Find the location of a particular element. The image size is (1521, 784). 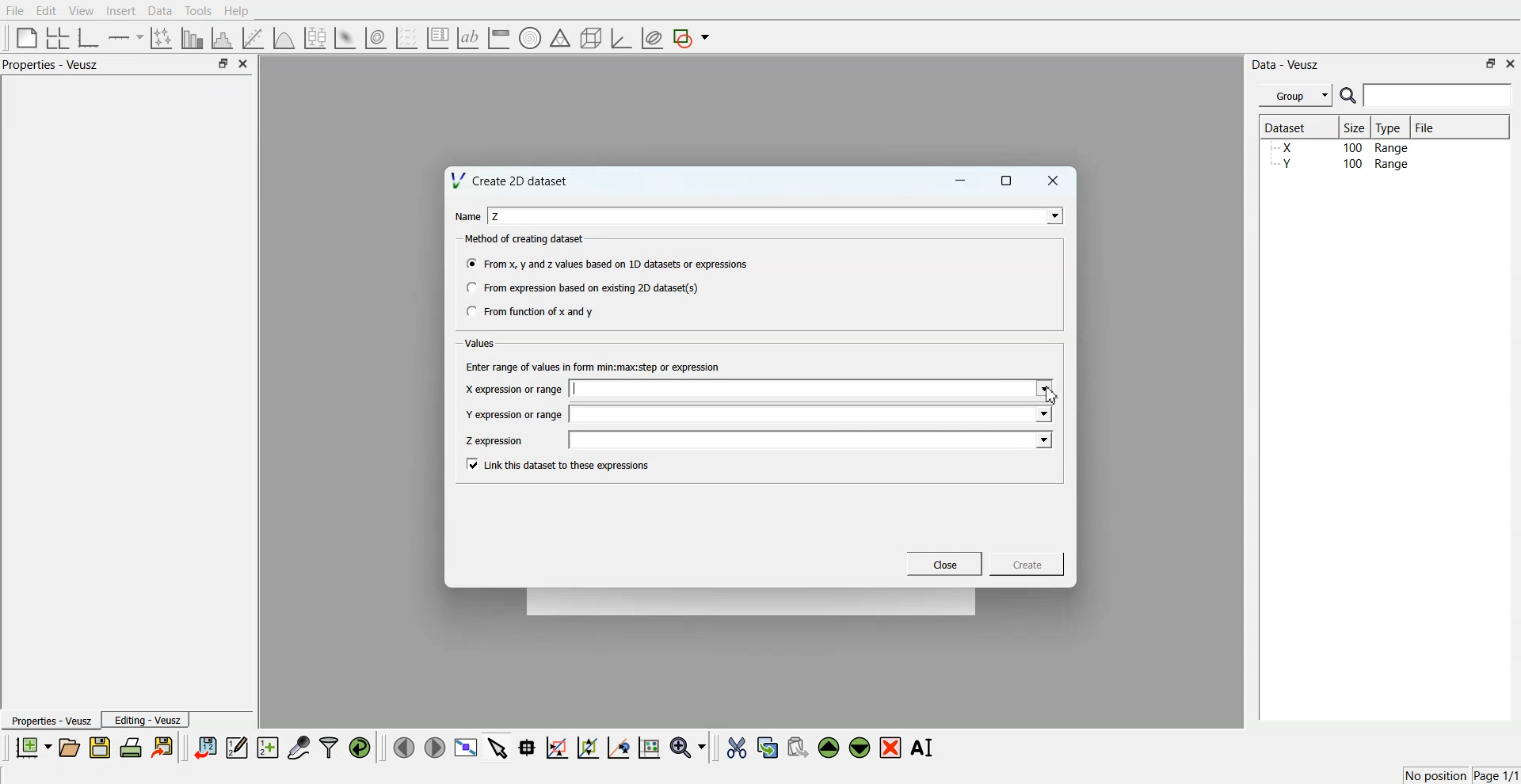

Fit a function of data is located at coordinates (252, 38).